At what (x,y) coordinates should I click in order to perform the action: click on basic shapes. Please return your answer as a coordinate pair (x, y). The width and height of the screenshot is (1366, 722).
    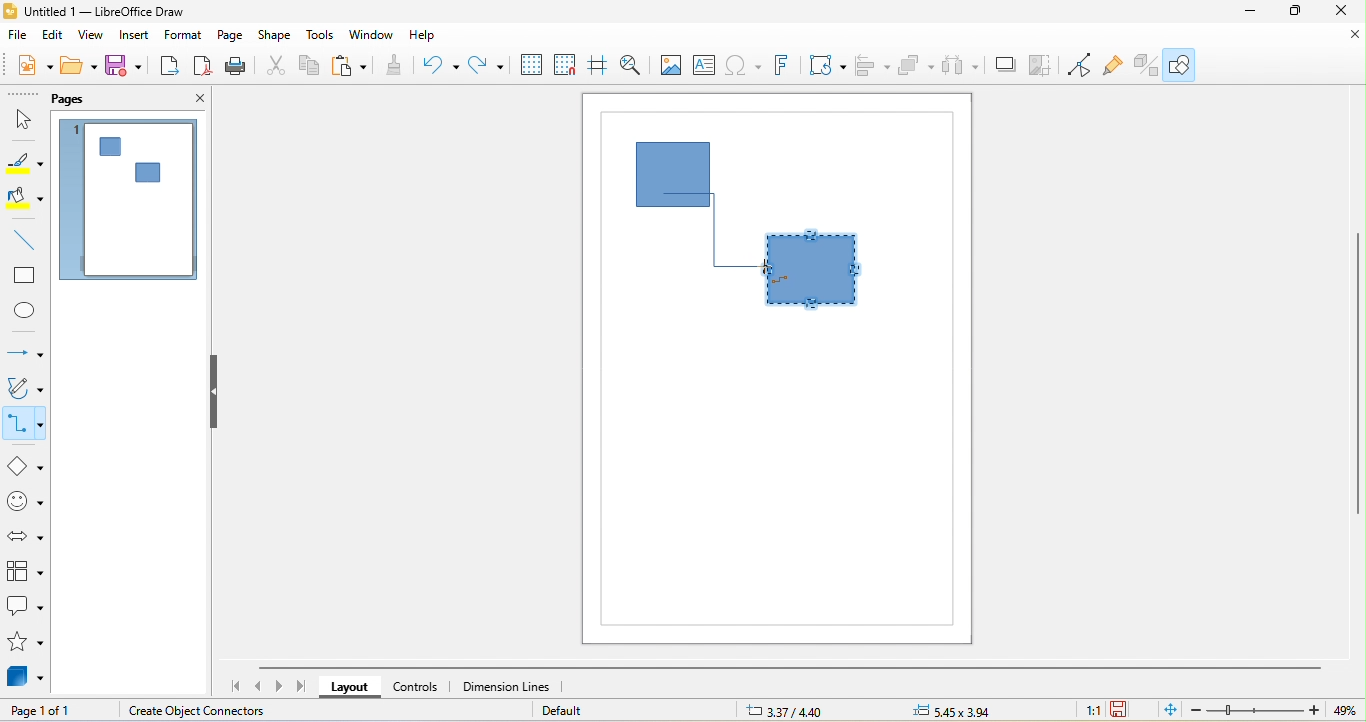
    Looking at the image, I should click on (24, 466).